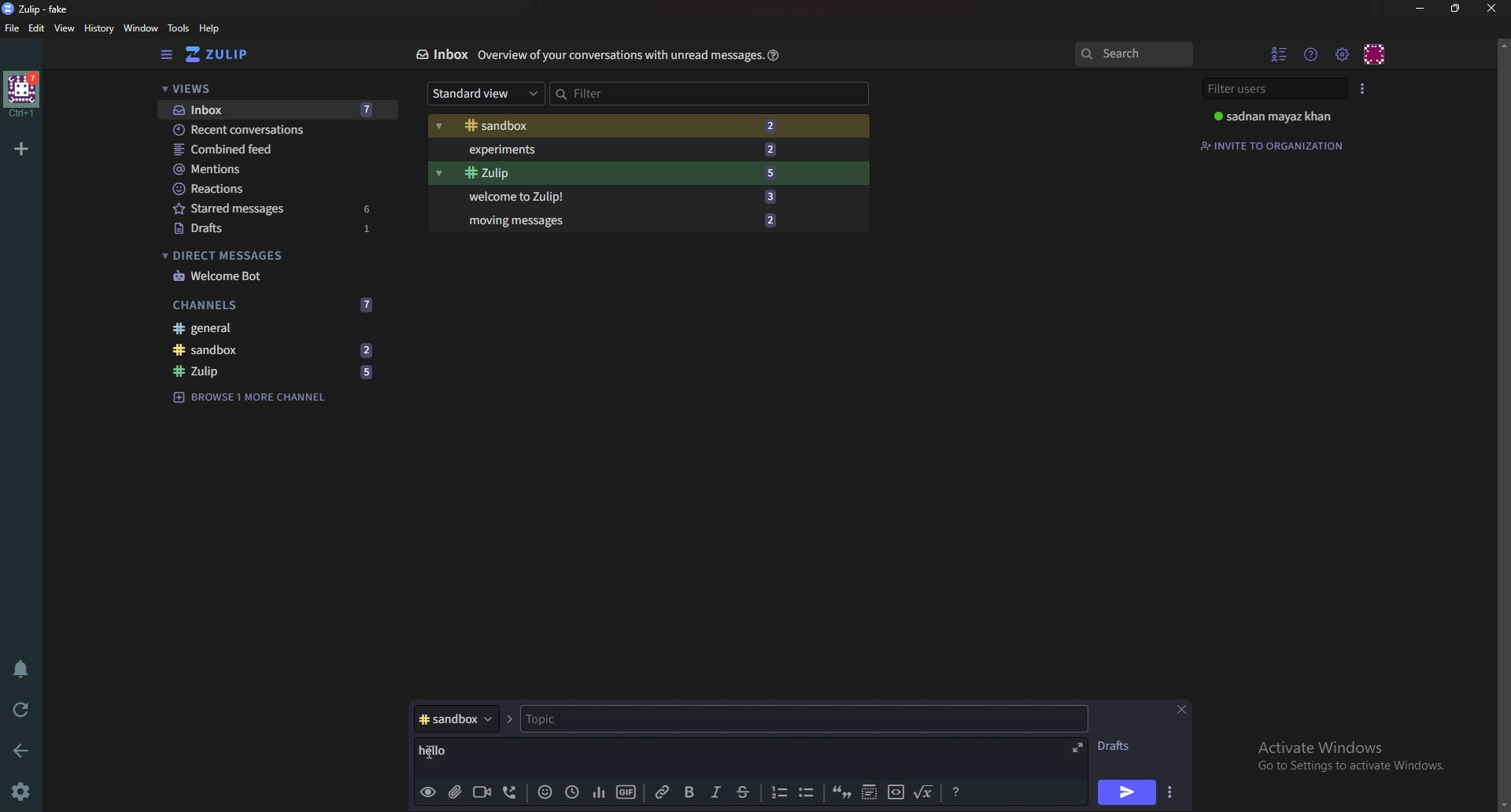 Image resolution: width=1511 pixels, height=812 pixels. I want to click on Filter, so click(628, 93).